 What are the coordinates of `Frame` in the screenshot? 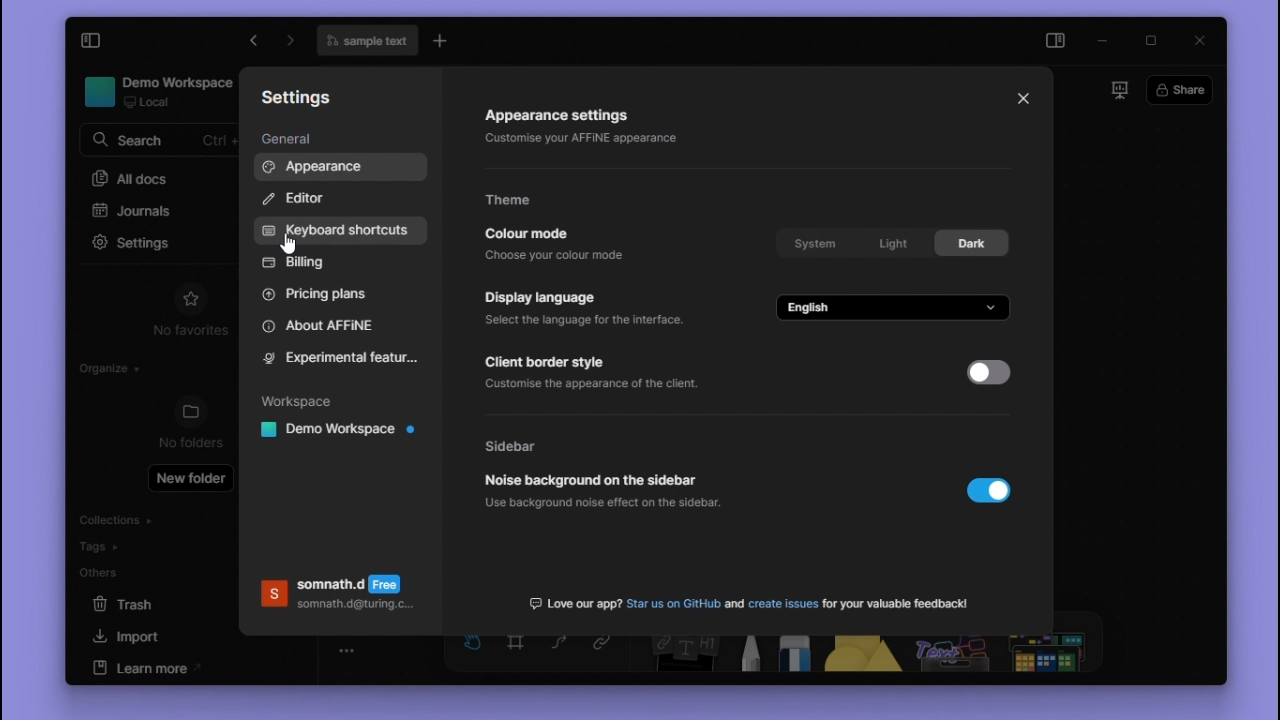 It's located at (519, 653).